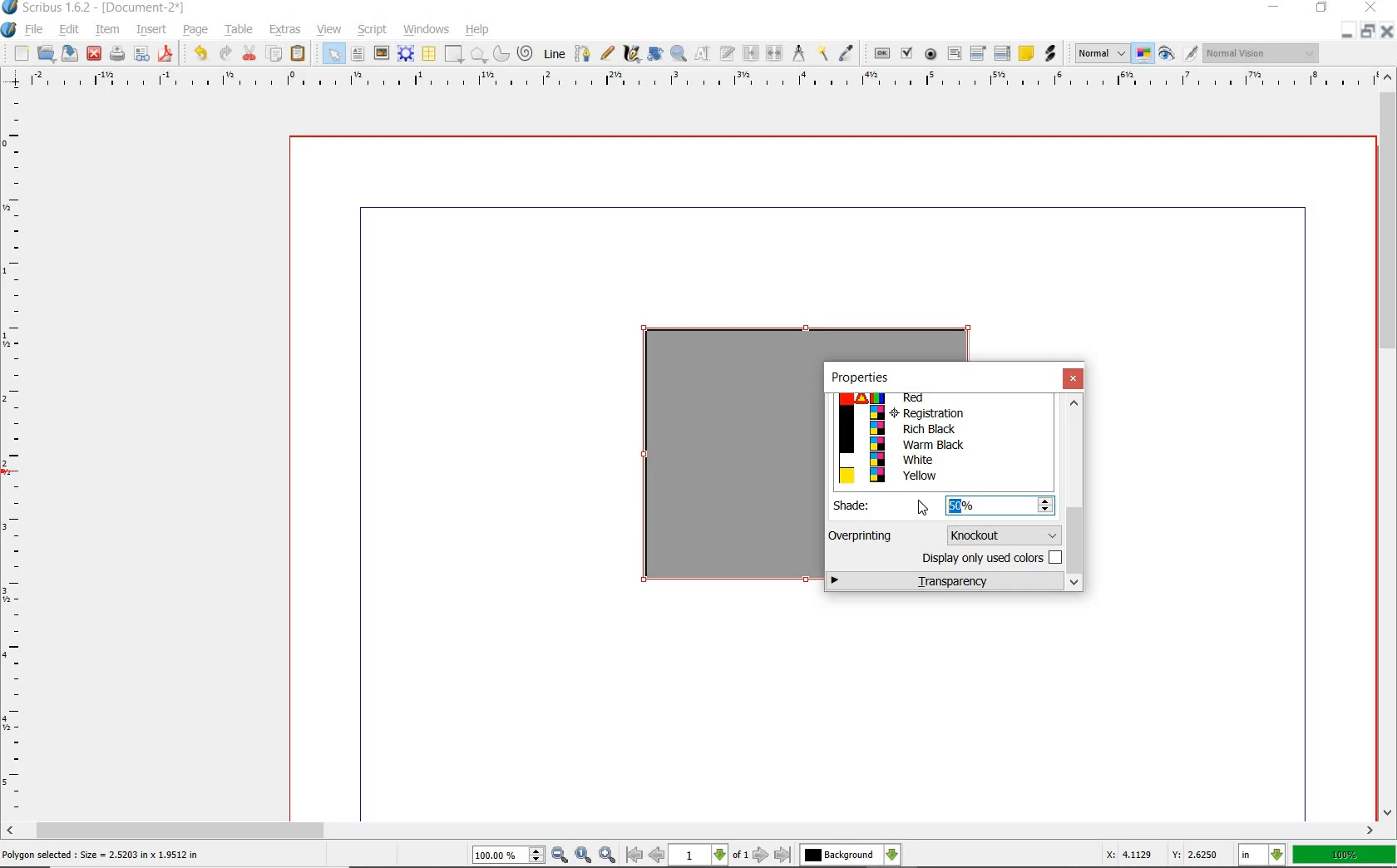  I want to click on go to last page, so click(783, 854).